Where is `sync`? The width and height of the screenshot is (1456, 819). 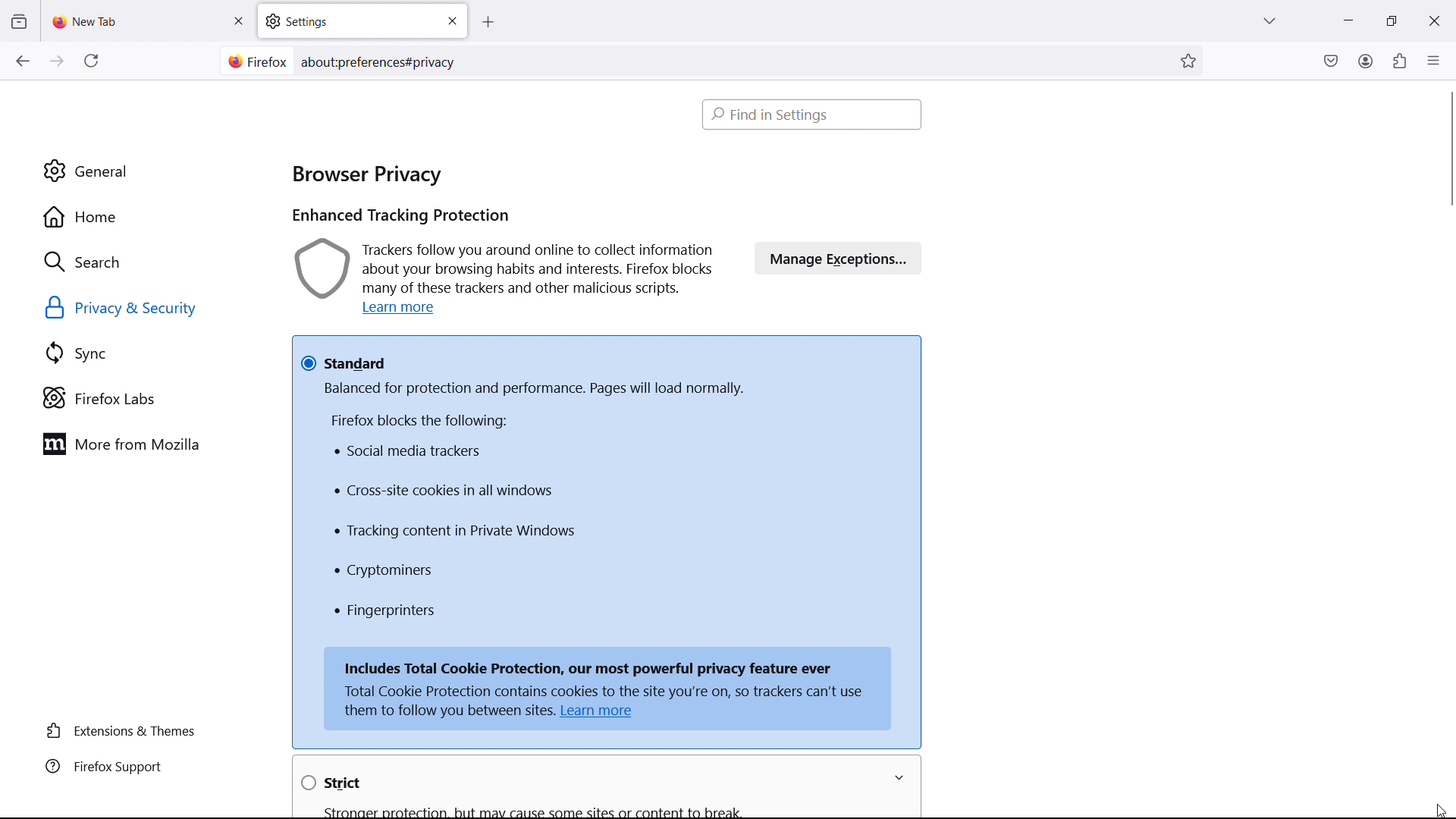
sync is located at coordinates (149, 353).